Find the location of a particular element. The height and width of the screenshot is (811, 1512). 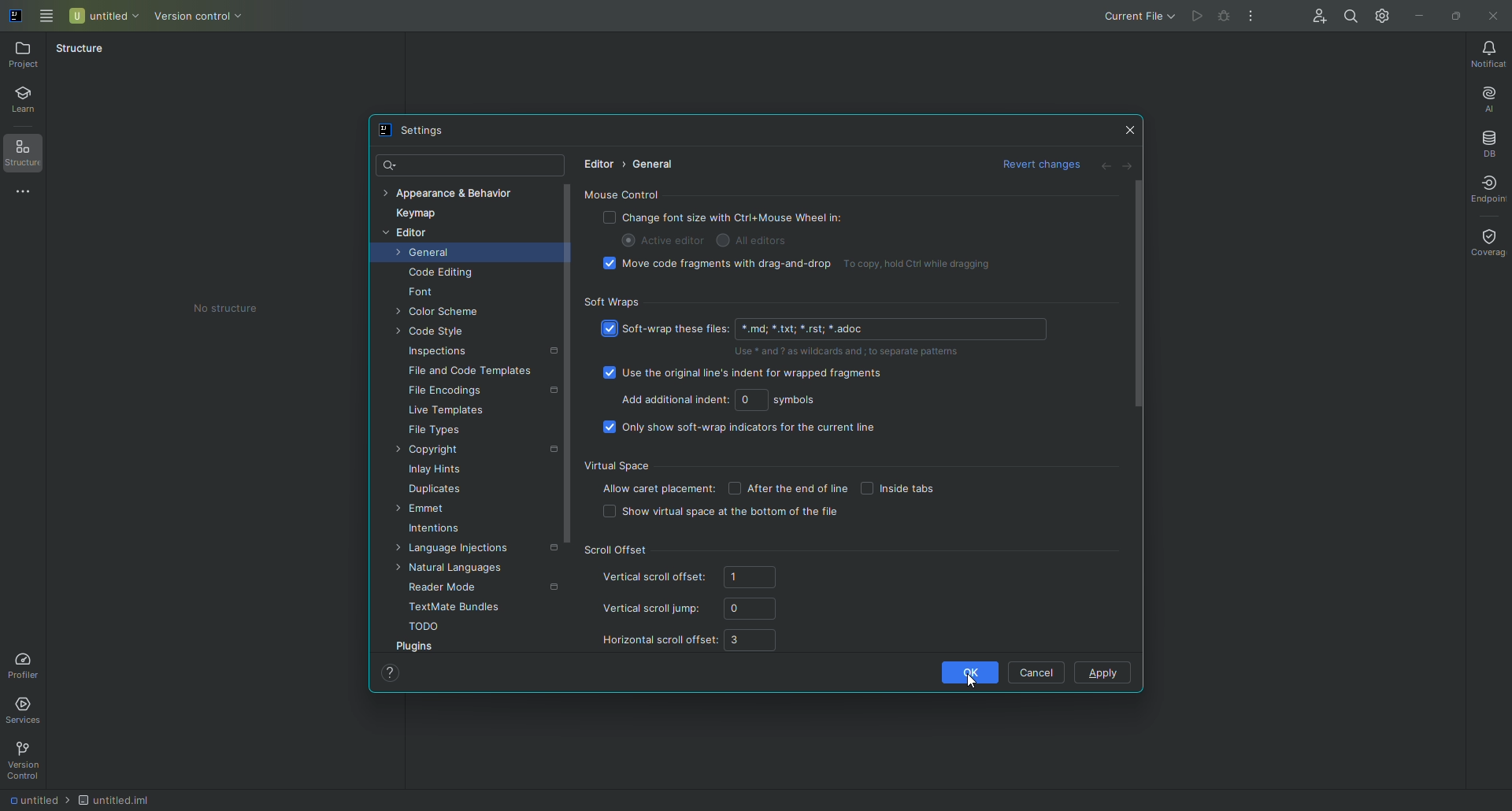

Inlay Hints is located at coordinates (436, 469).